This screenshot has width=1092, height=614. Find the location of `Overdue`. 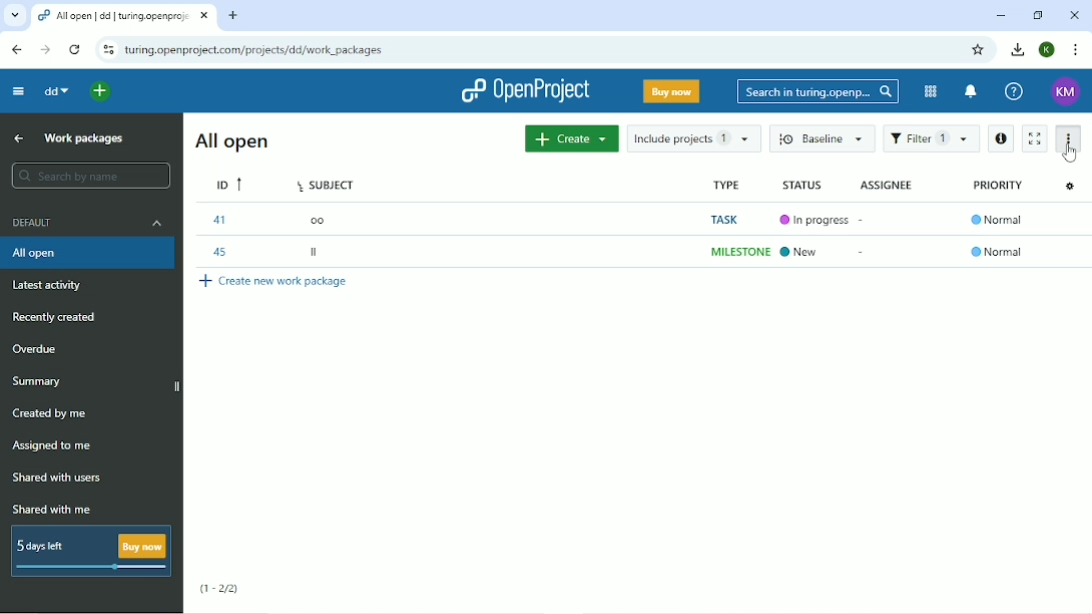

Overdue is located at coordinates (36, 348).